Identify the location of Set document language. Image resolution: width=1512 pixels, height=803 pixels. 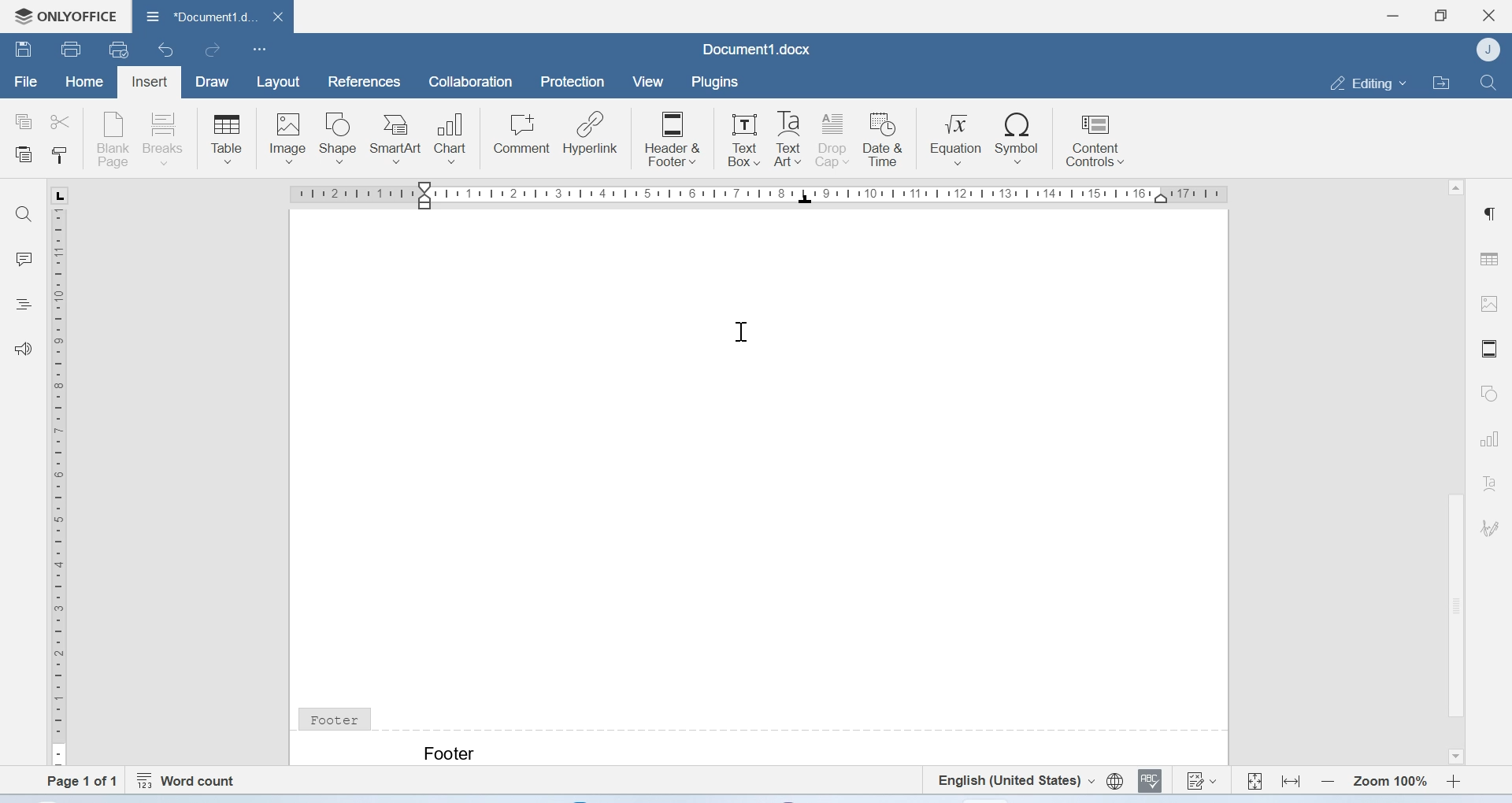
(1114, 782).